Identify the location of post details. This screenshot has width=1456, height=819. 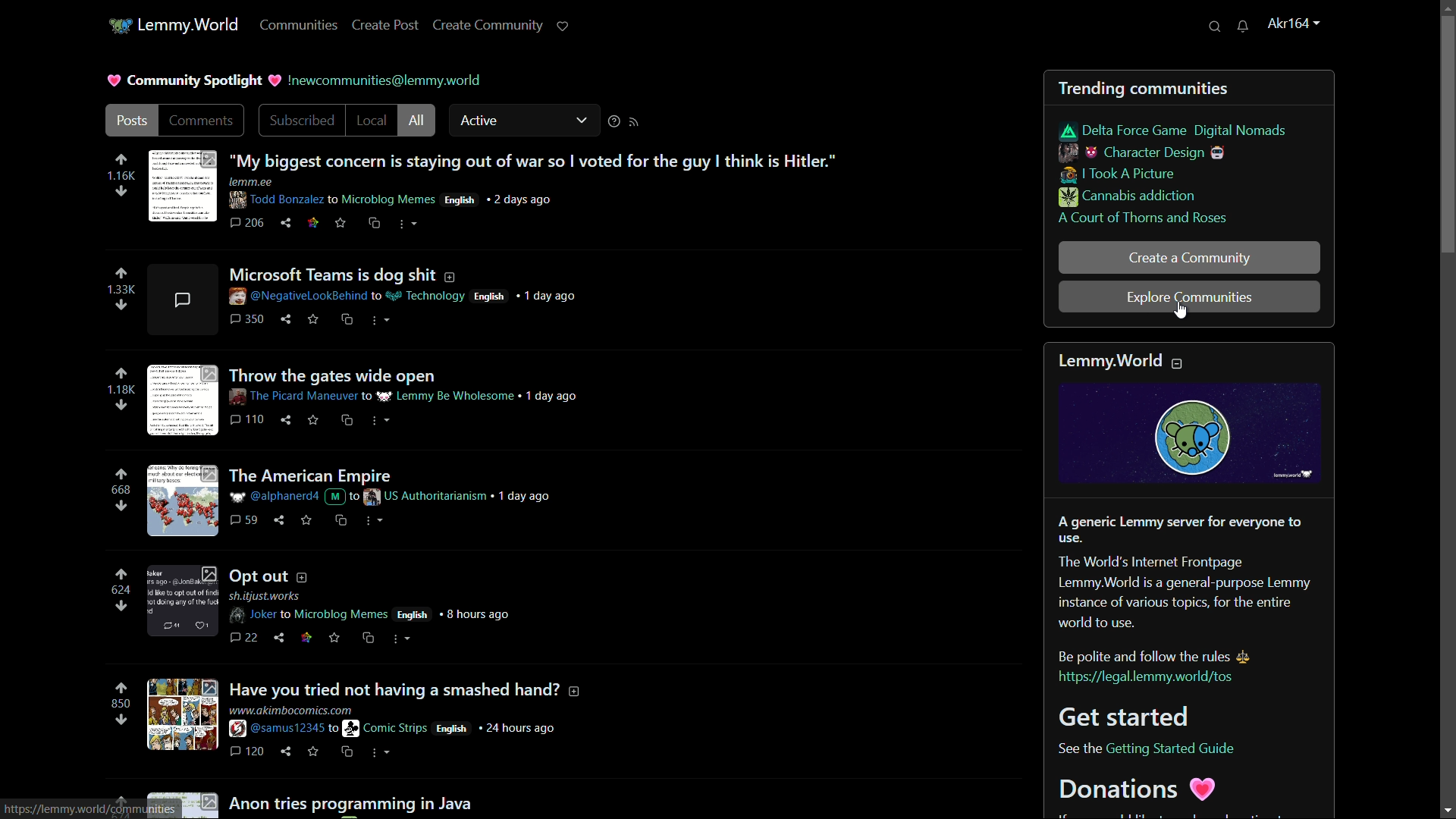
(399, 296).